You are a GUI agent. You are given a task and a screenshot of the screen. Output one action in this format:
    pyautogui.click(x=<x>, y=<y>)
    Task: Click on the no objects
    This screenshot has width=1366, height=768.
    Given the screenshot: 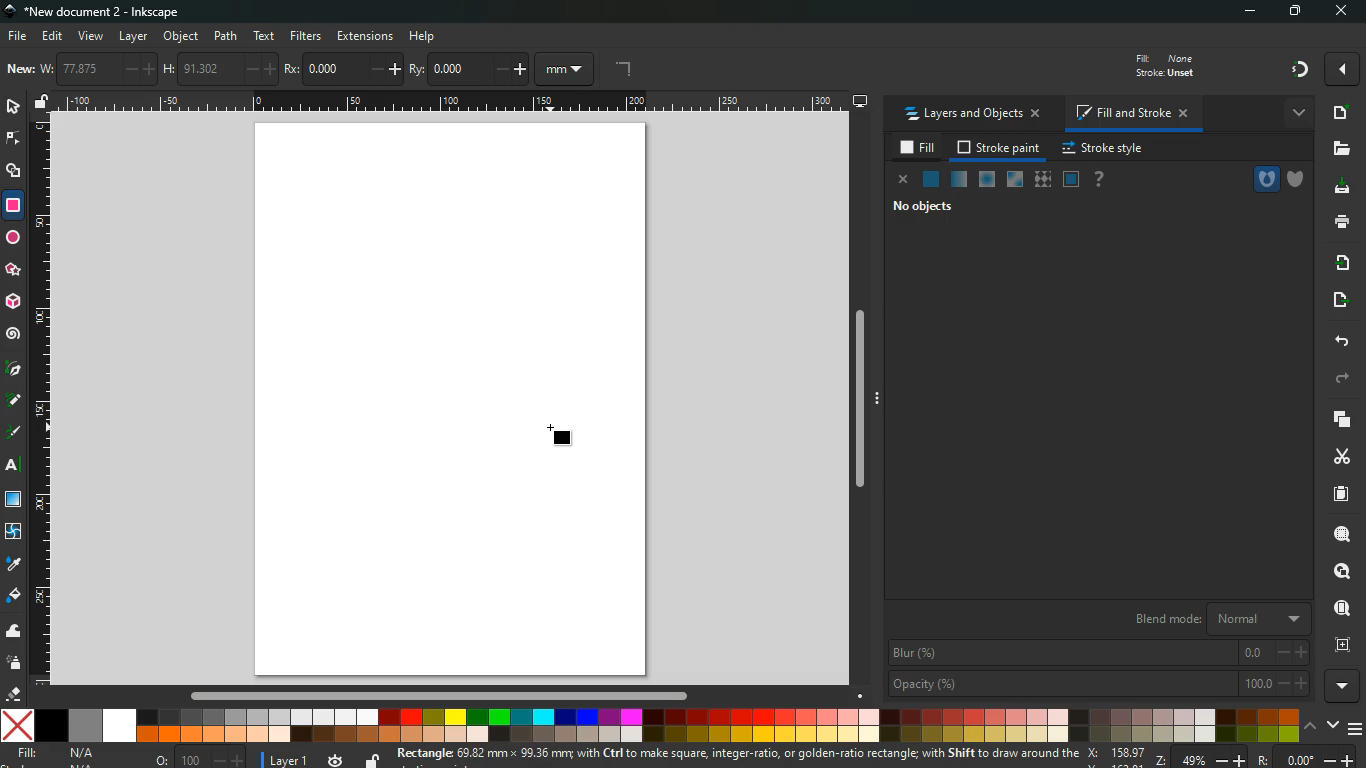 What is the action you would take?
    pyautogui.click(x=919, y=208)
    